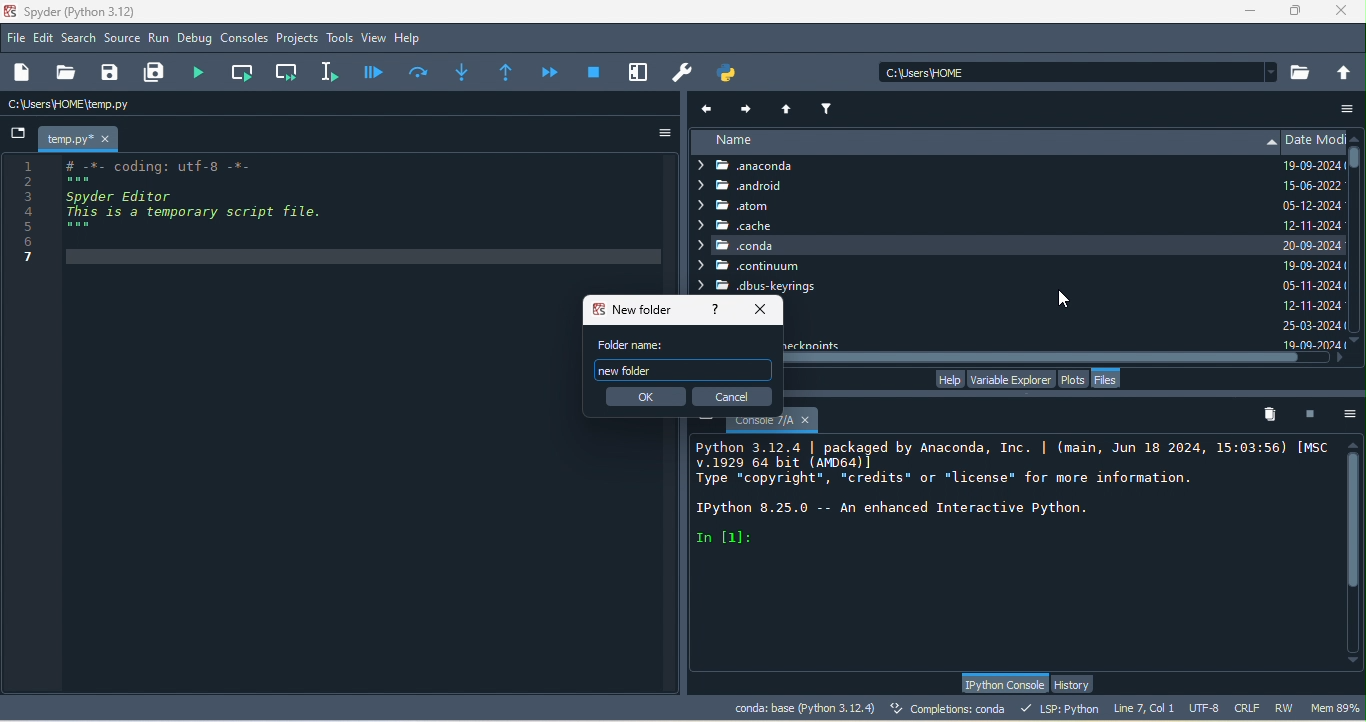  Describe the element at coordinates (709, 108) in the screenshot. I see `previous` at that location.